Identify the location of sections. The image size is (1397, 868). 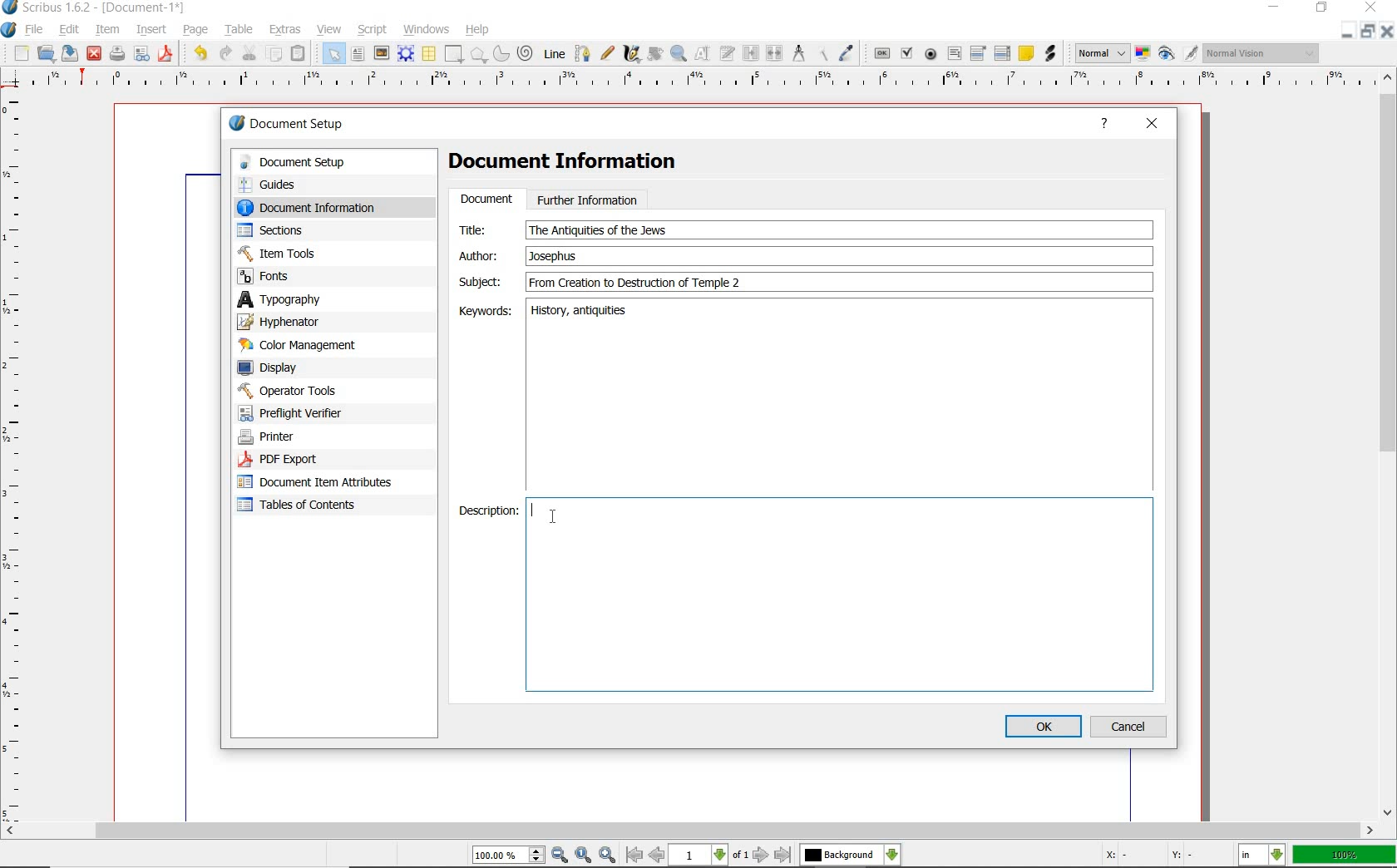
(307, 230).